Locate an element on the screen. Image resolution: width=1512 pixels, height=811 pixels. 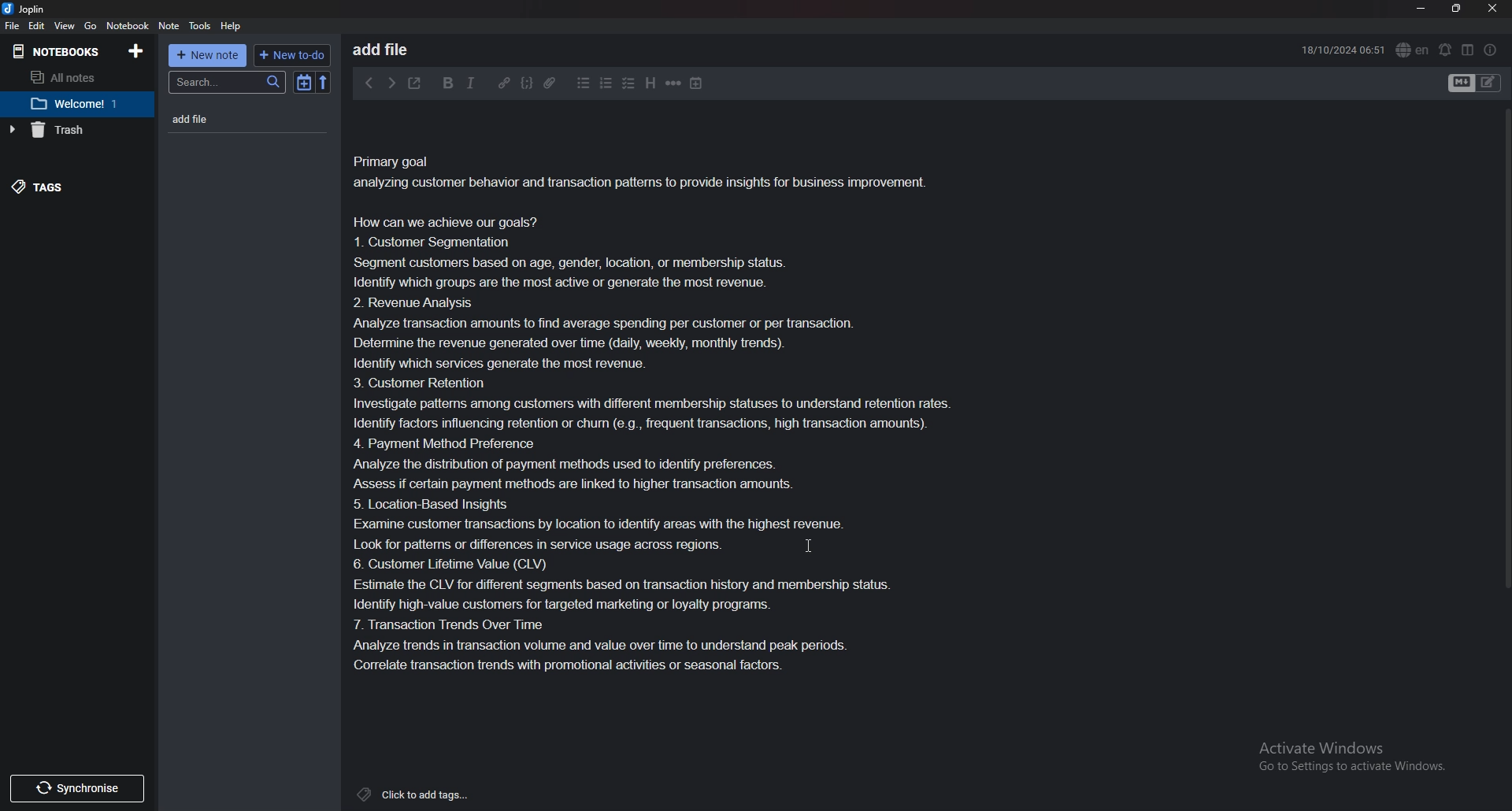
tags is located at coordinates (65, 188).